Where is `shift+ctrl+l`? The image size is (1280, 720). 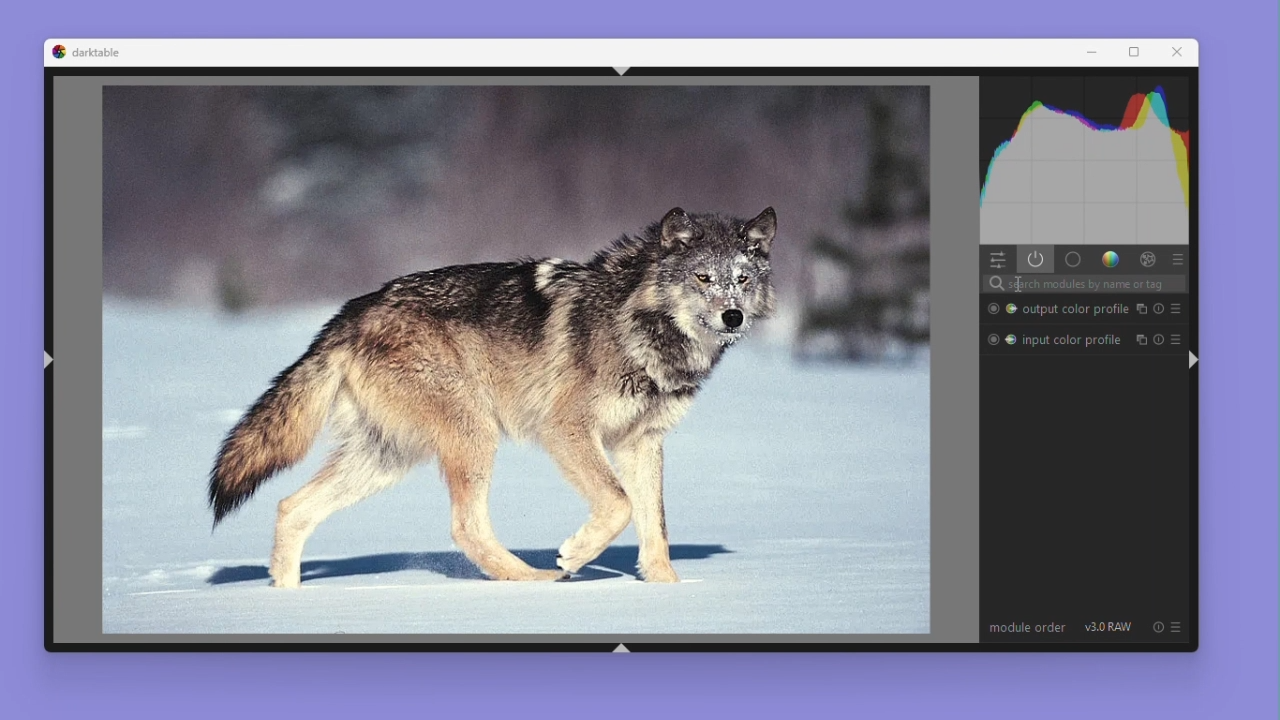
shift+ctrl+l is located at coordinates (49, 359).